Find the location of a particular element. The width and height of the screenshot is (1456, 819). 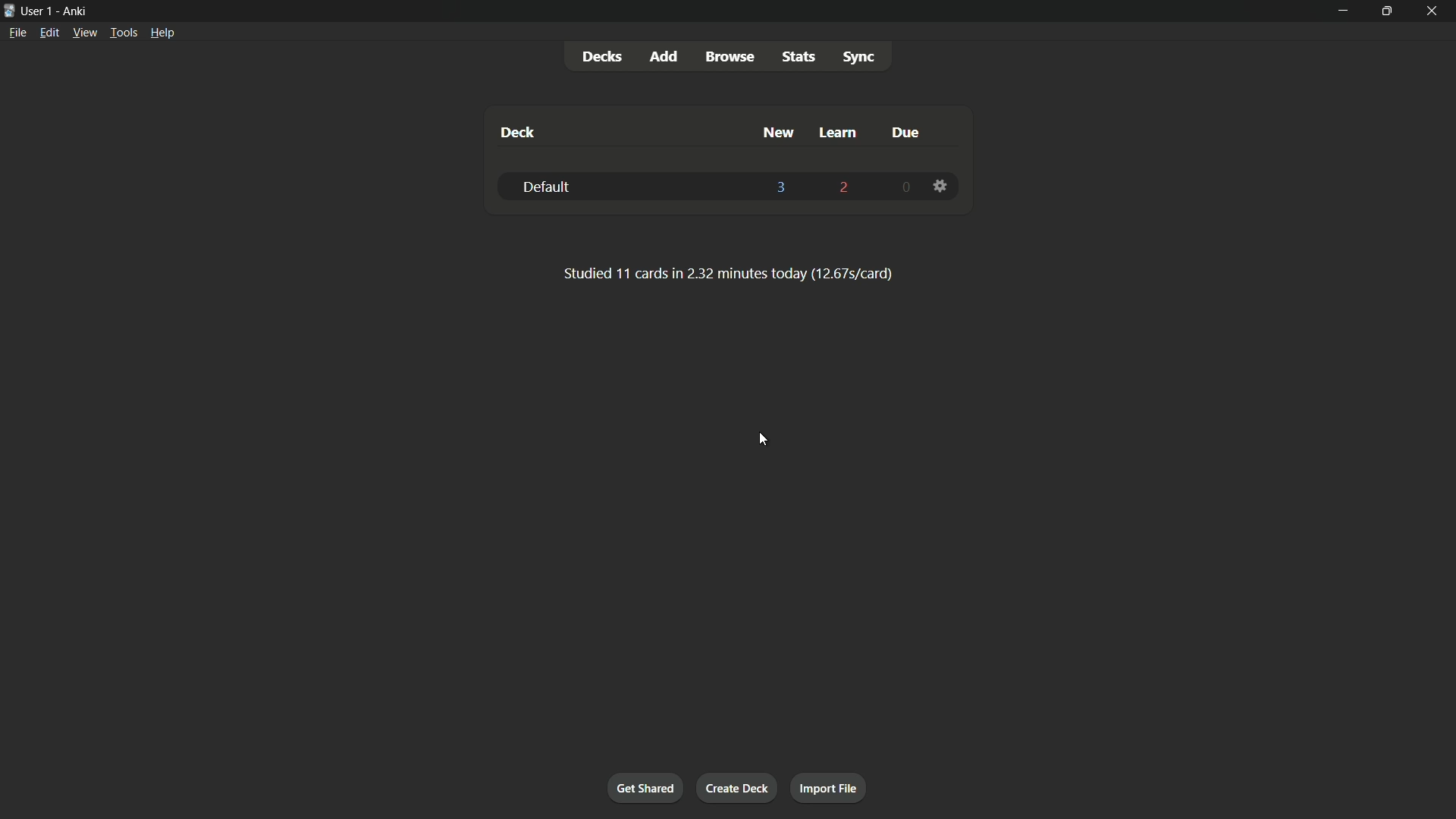

cursor is located at coordinates (761, 439).